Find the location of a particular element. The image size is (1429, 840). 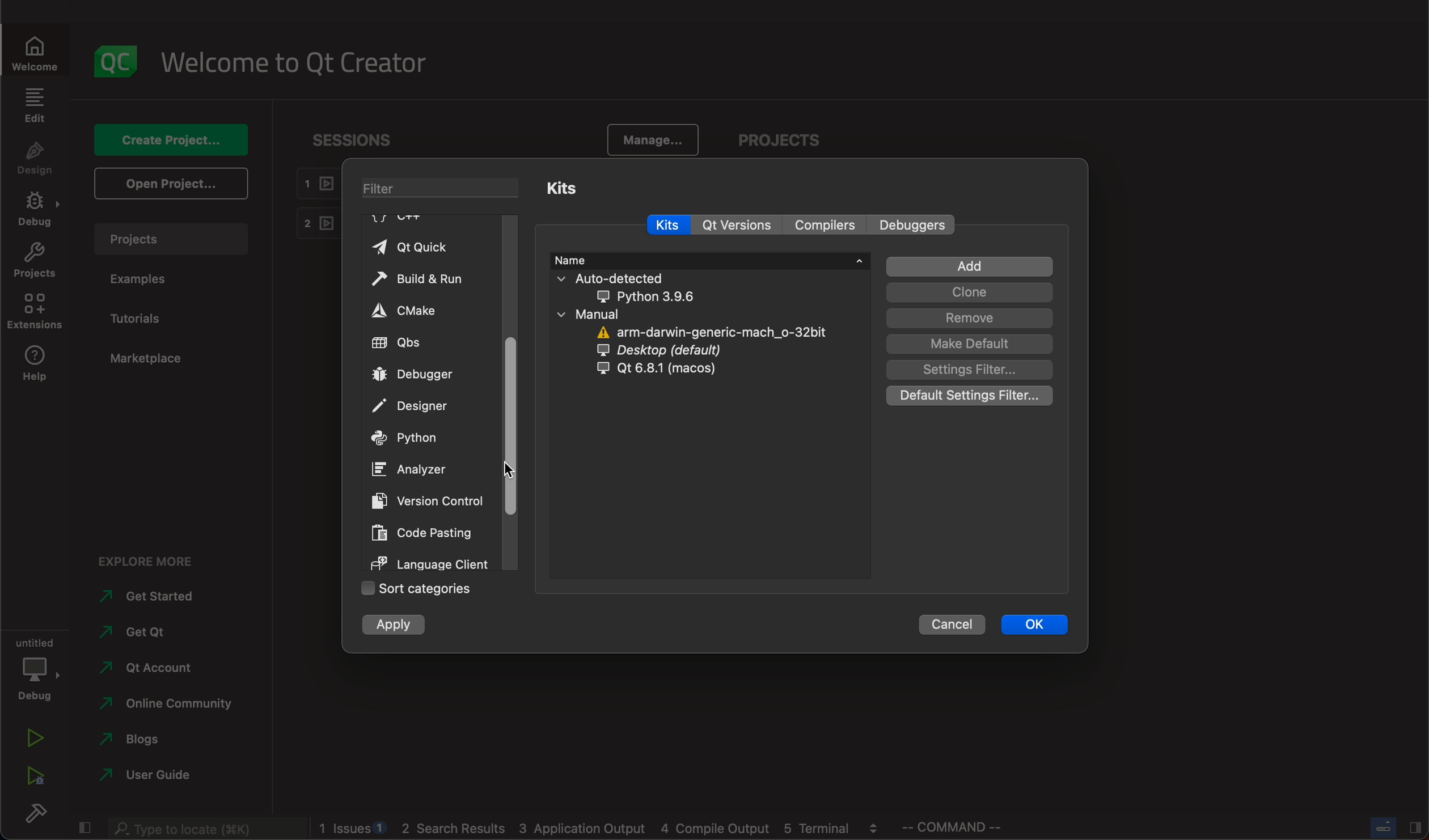

projects is located at coordinates (171, 239).